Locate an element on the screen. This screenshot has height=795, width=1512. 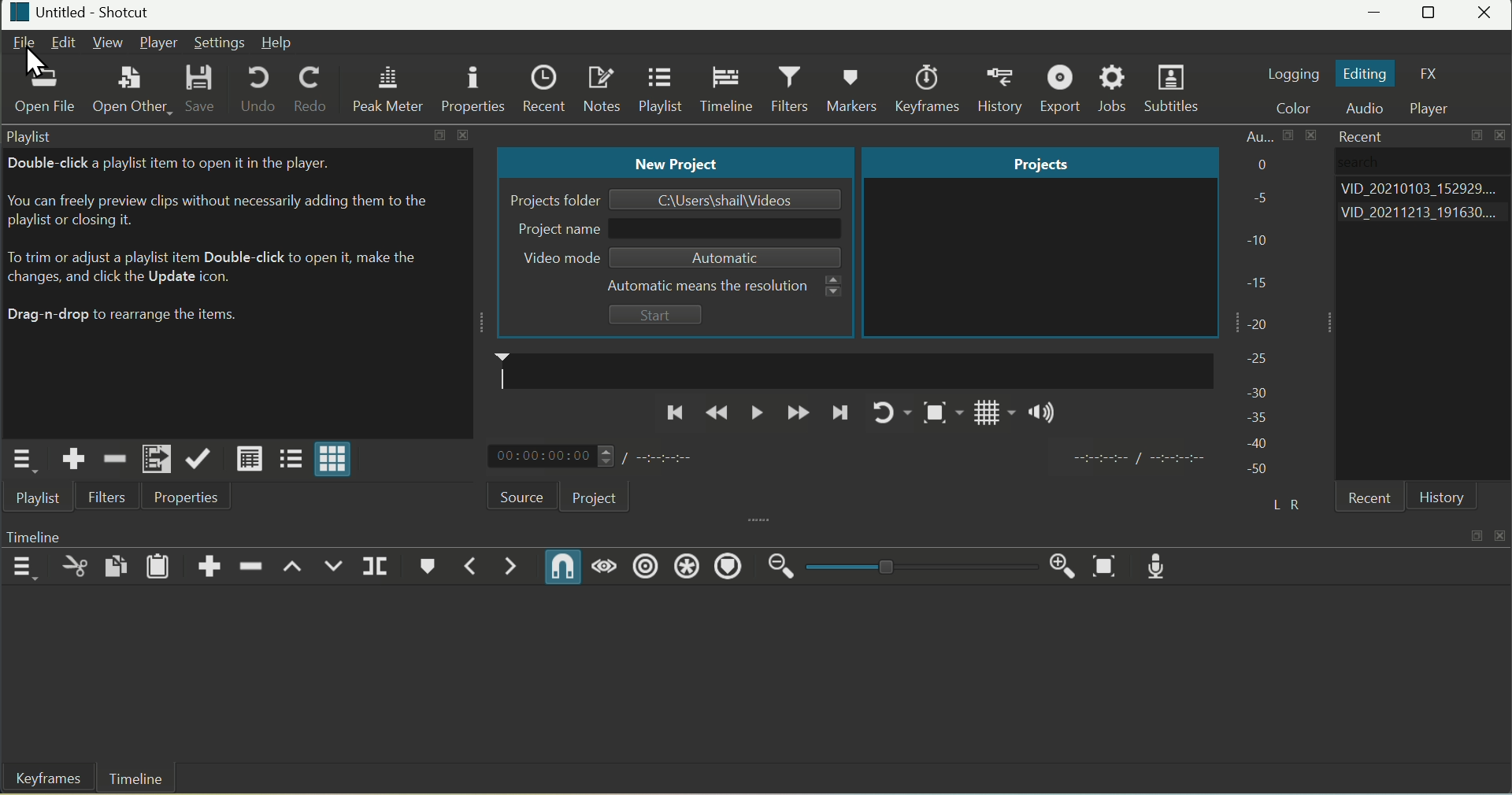
Zoom out is located at coordinates (782, 567).